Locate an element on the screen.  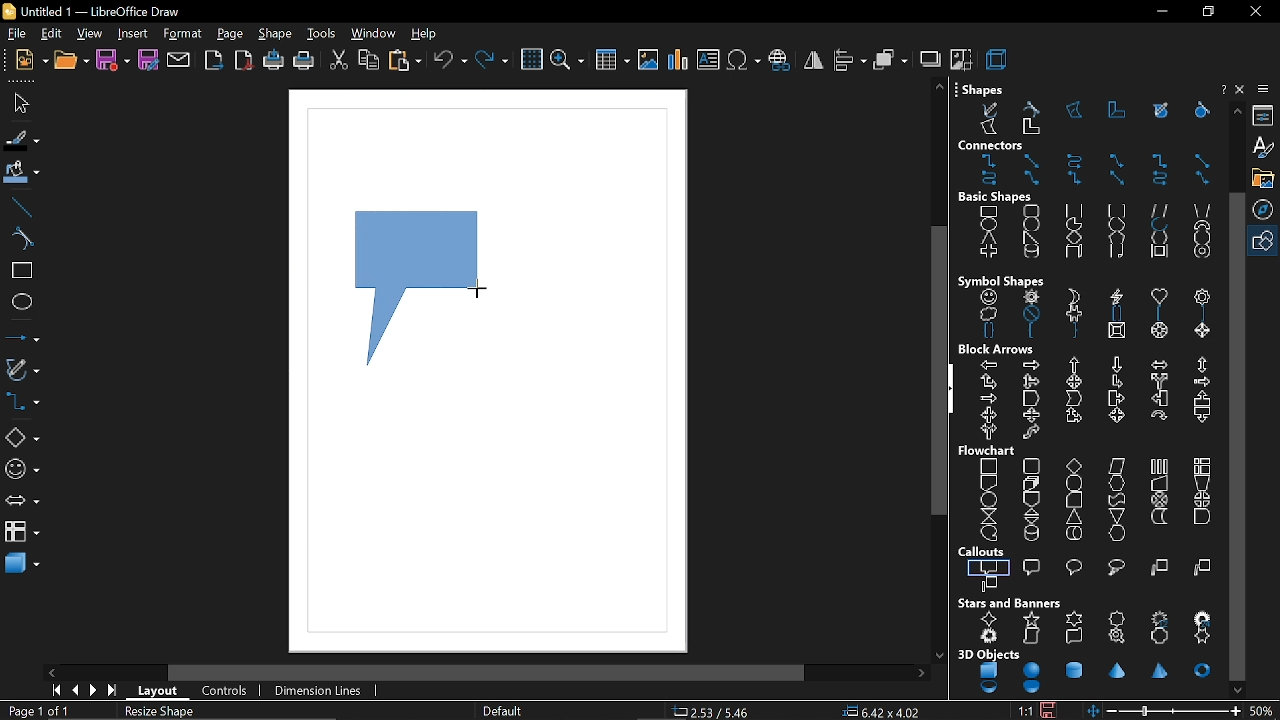
right brace is located at coordinates (1074, 333).